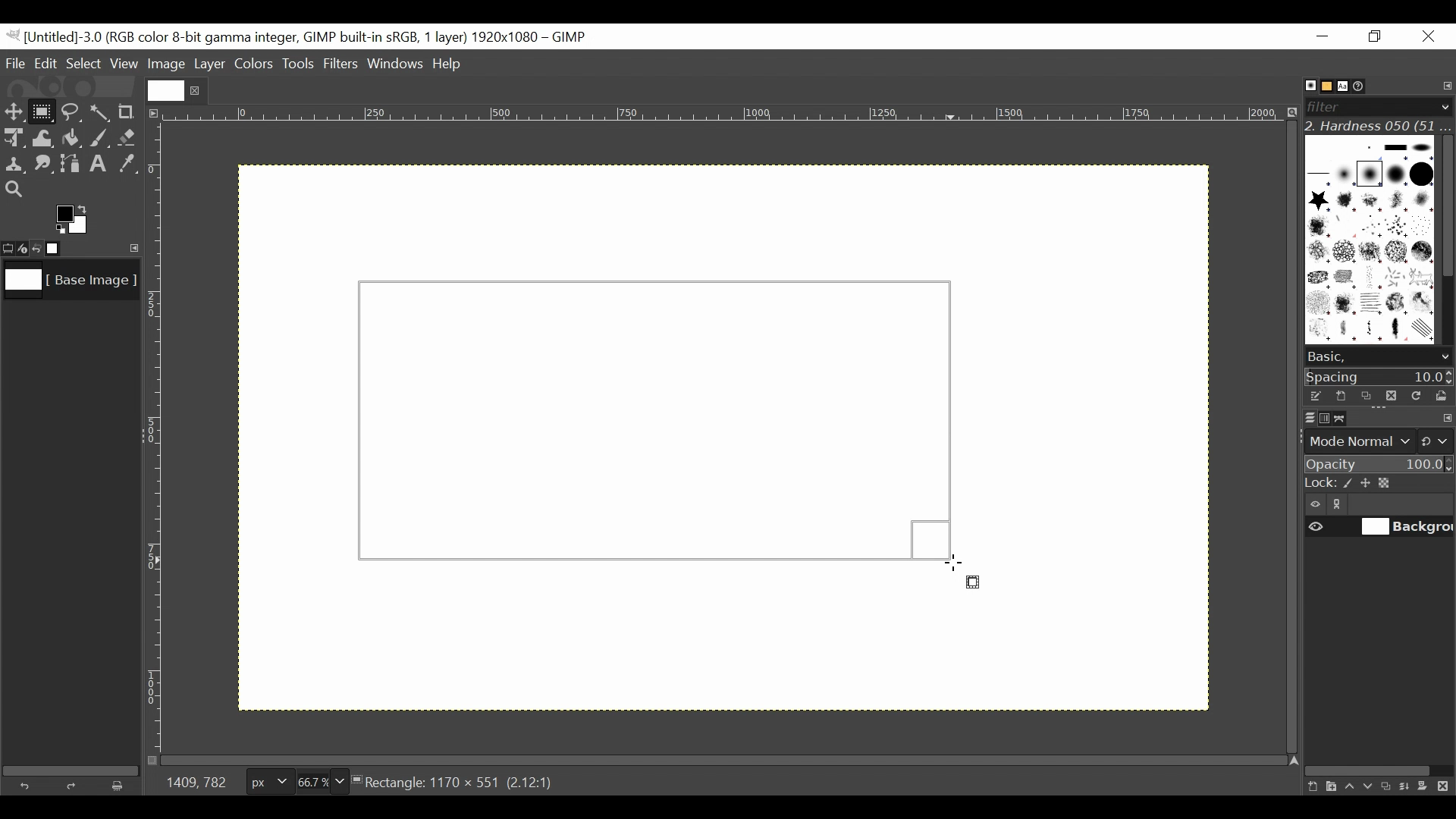 The width and height of the screenshot is (1456, 819). What do you see at coordinates (42, 140) in the screenshot?
I see `Warp Transform` at bounding box center [42, 140].